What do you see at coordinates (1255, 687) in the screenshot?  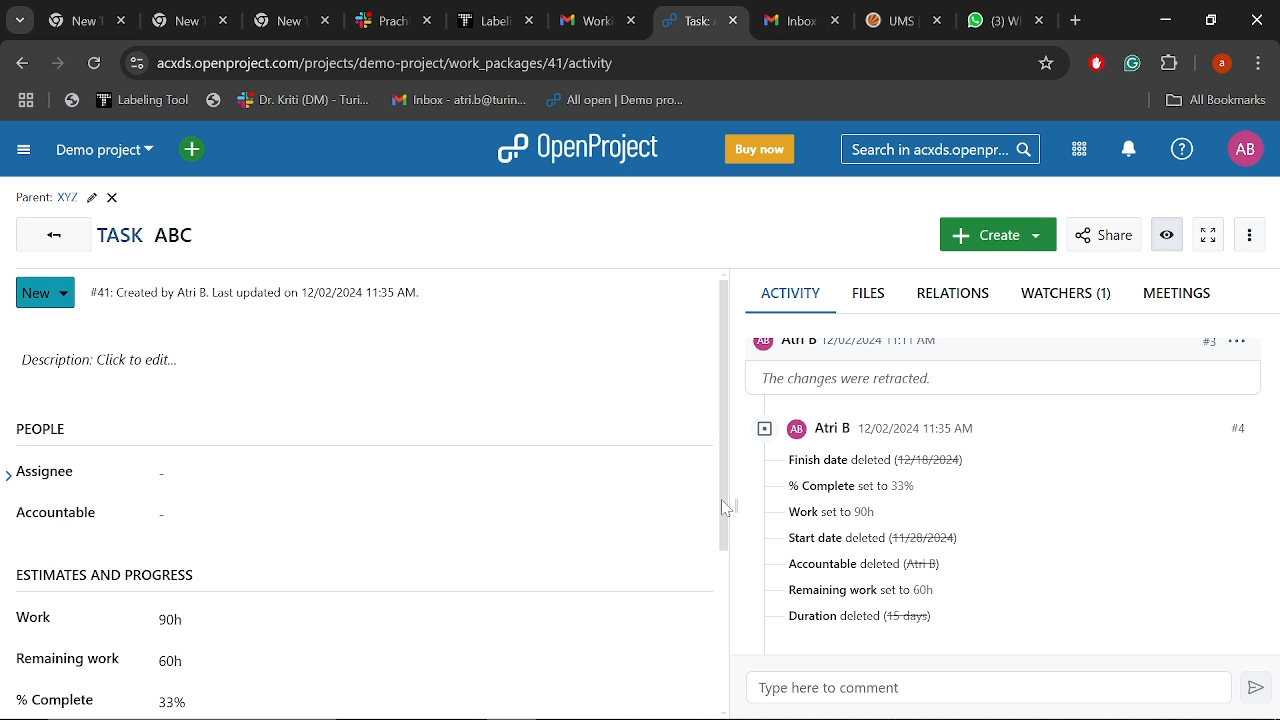 I see `Send` at bounding box center [1255, 687].